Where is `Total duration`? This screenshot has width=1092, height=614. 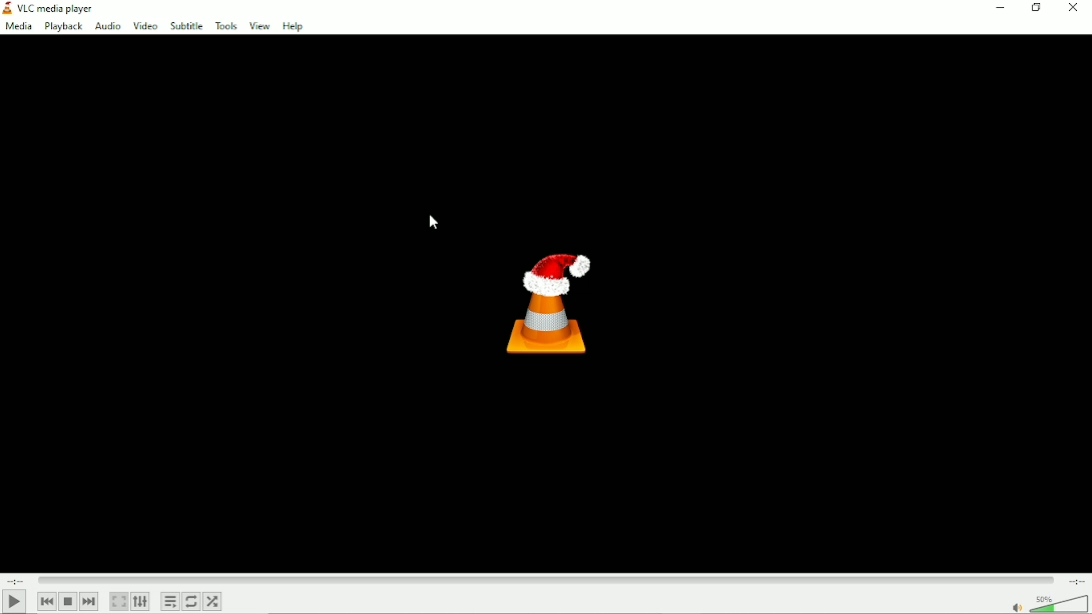
Total duration is located at coordinates (1076, 580).